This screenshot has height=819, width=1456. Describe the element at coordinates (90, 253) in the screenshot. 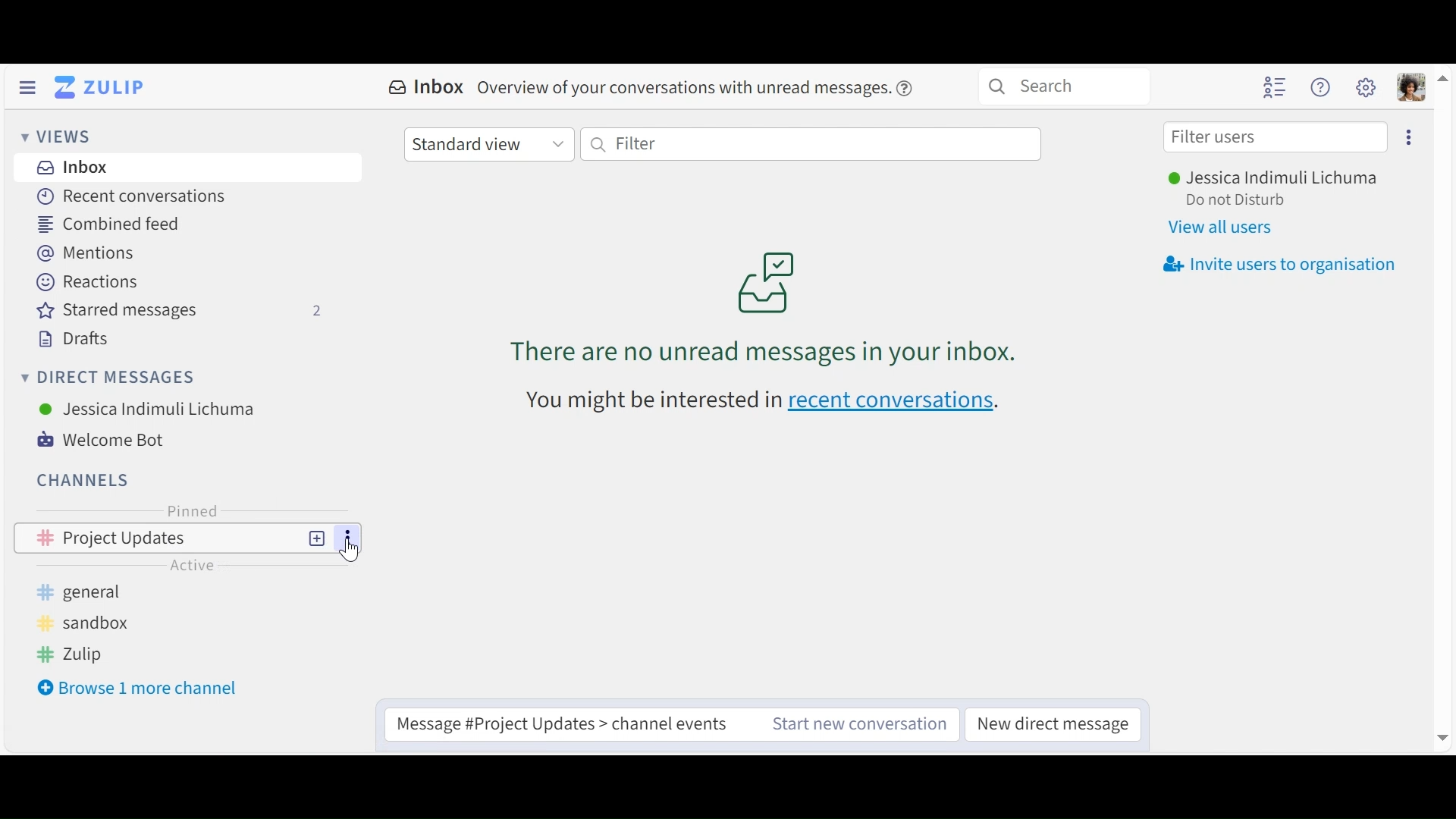

I see `Mentions` at that location.